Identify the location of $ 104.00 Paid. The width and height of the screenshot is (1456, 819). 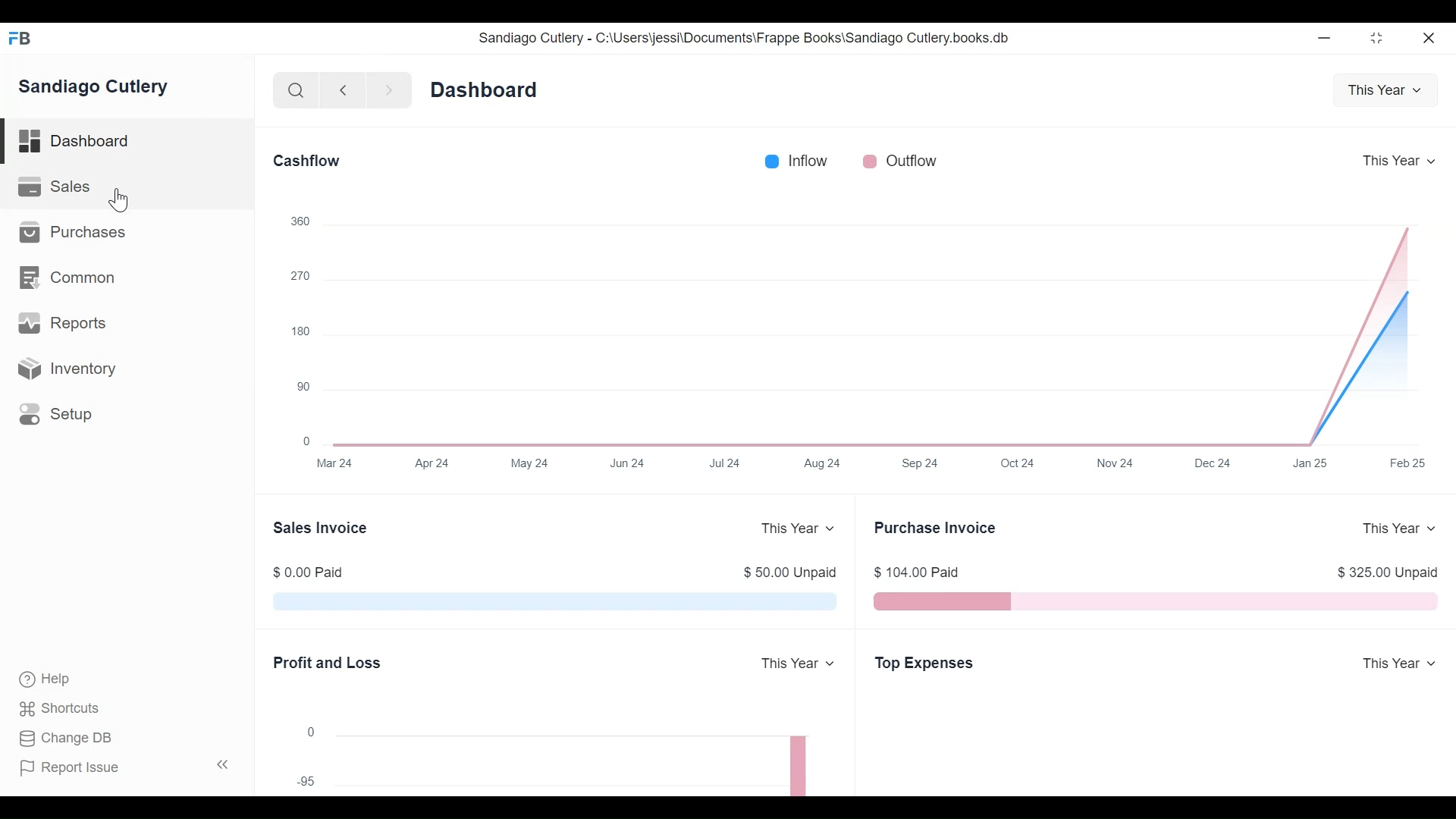
(917, 572).